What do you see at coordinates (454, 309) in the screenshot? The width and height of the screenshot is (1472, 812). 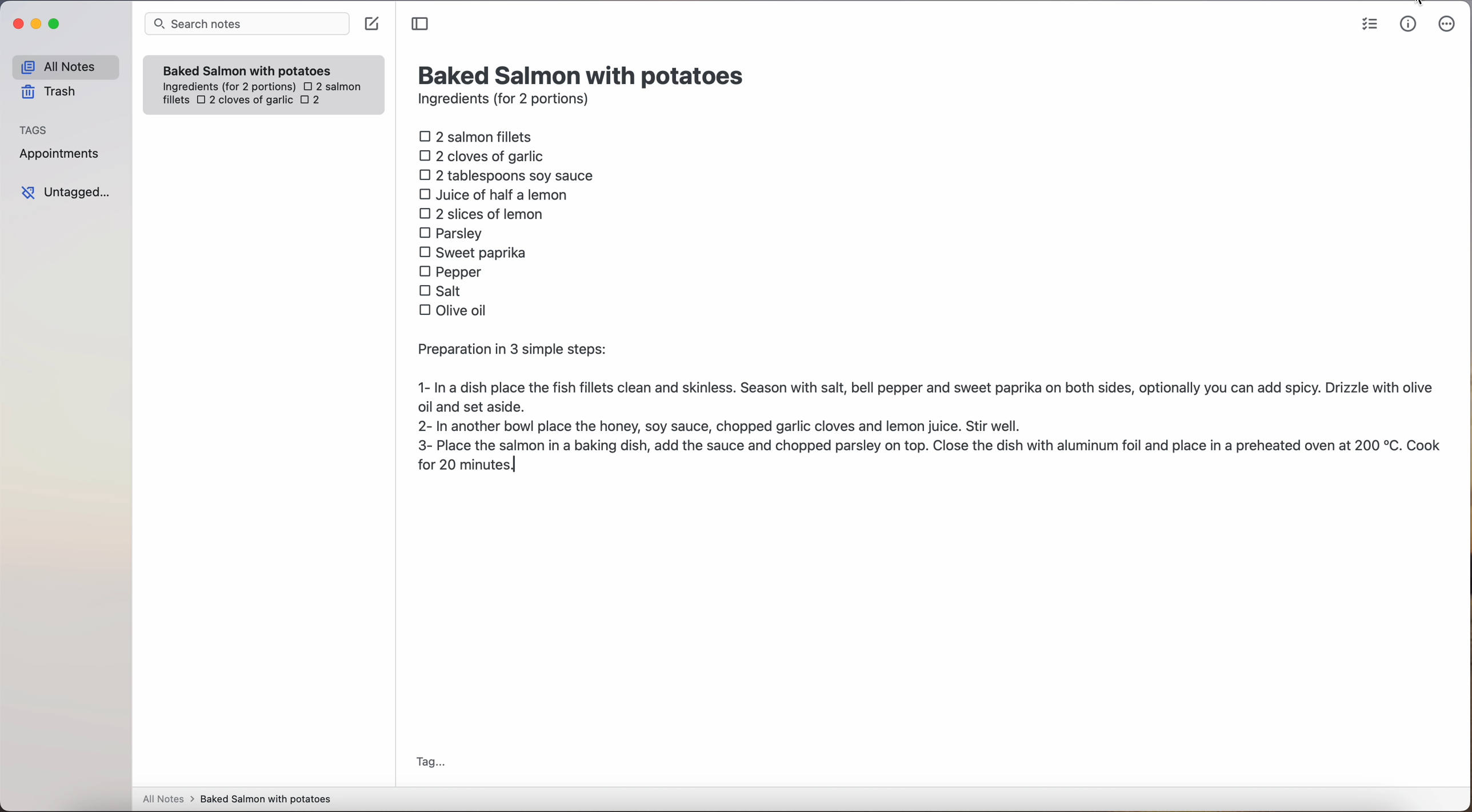 I see `olive oil` at bounding box center [454, 309].